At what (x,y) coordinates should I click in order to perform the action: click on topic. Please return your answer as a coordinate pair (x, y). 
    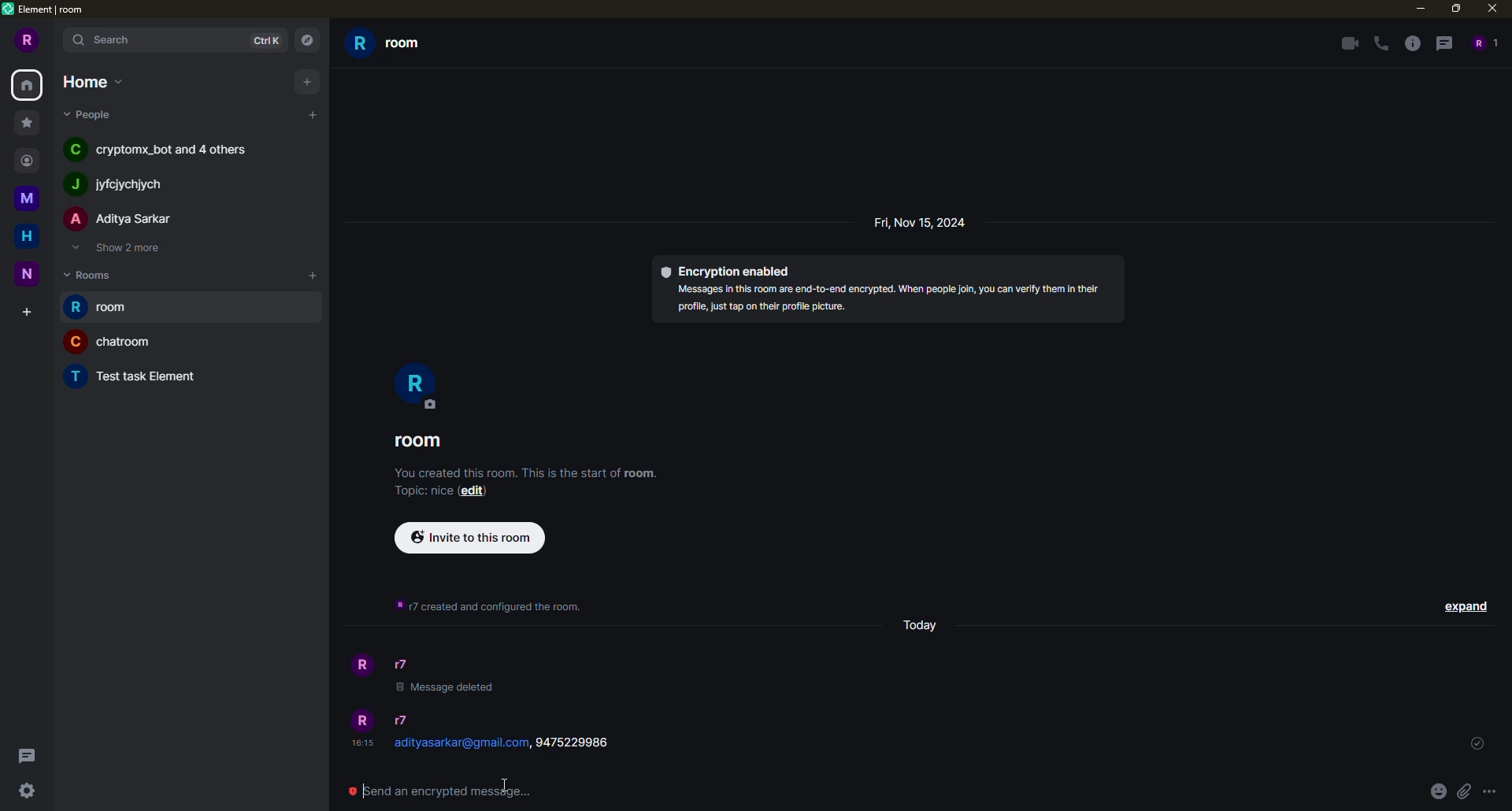
    Looking at the image, I should click on (421, 491).